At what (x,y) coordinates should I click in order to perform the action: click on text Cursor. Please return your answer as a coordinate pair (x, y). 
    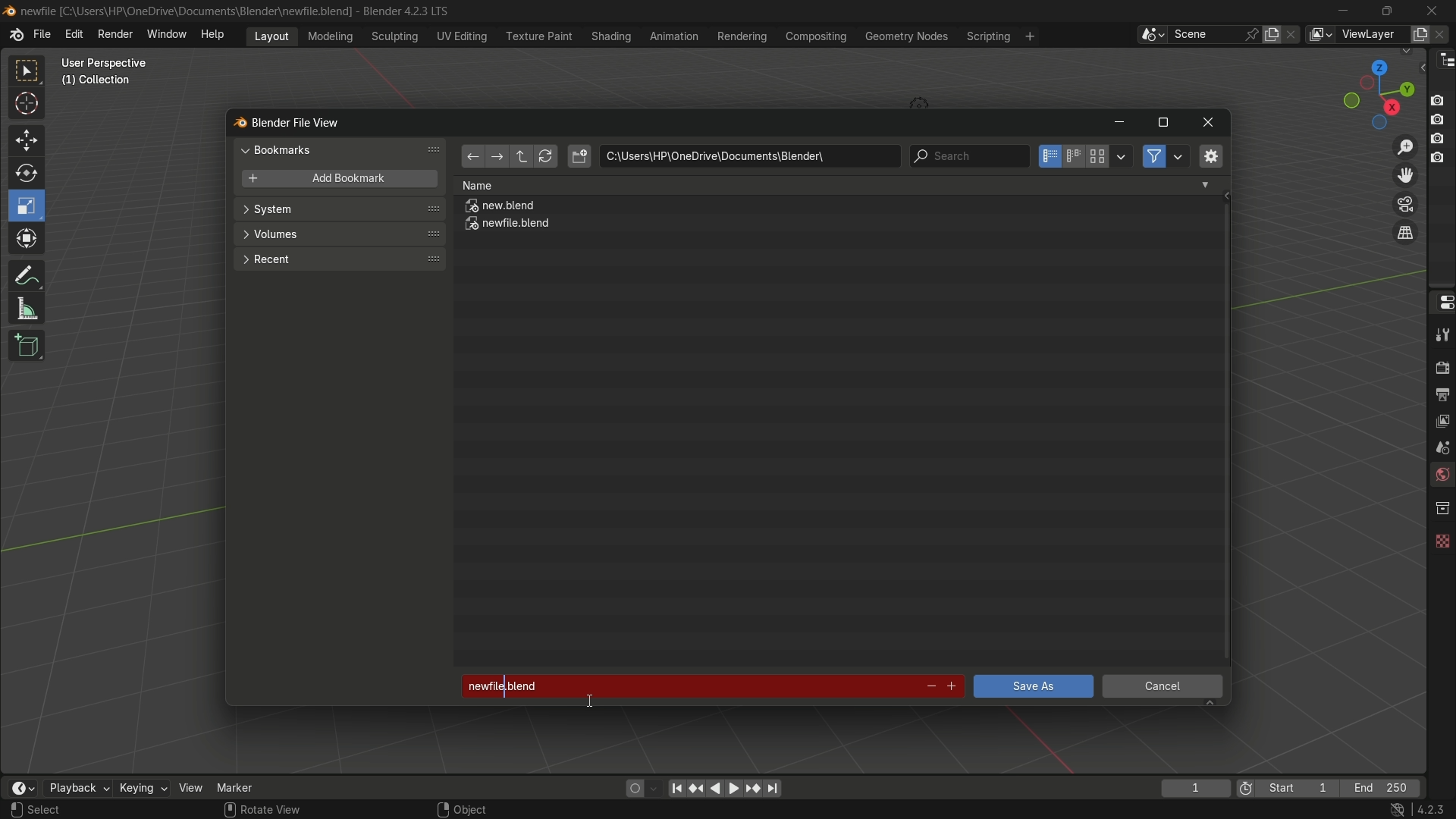
    Looking at the image, I should click on (591, 703).